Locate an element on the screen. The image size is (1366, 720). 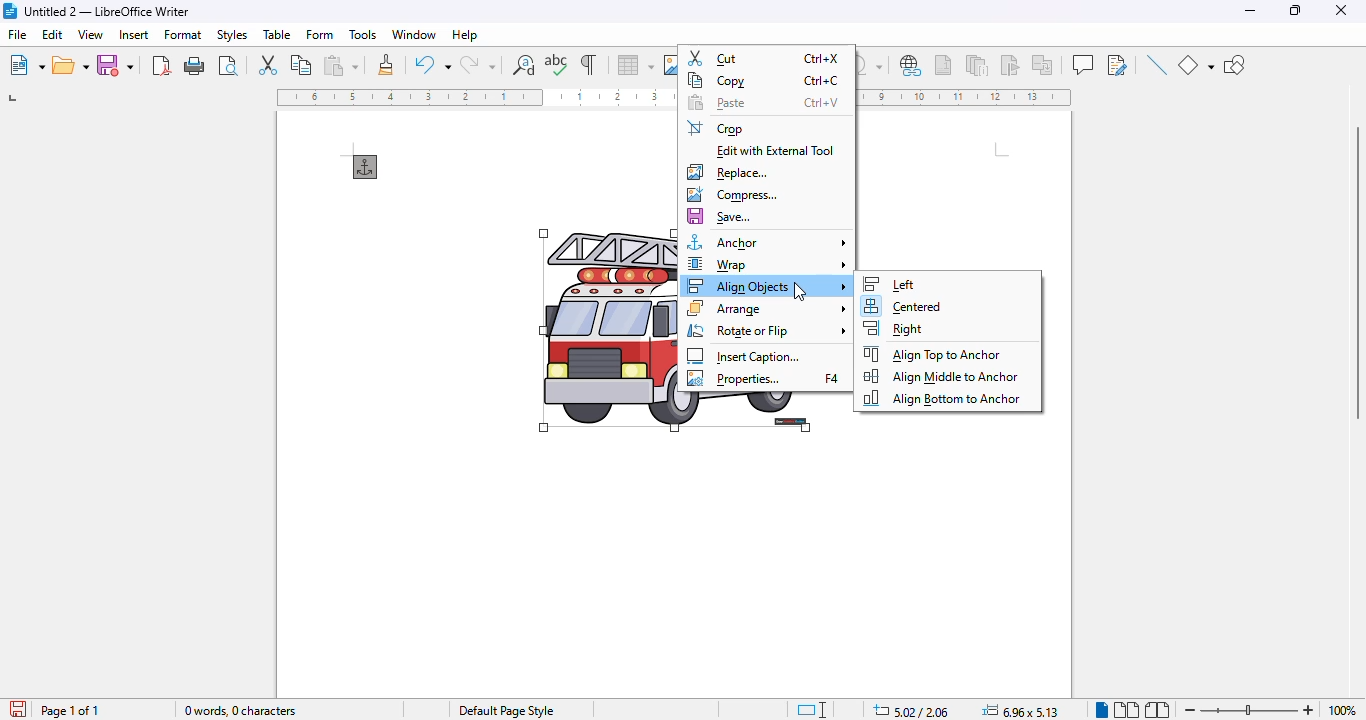
table is located at coordinates (635, 65).